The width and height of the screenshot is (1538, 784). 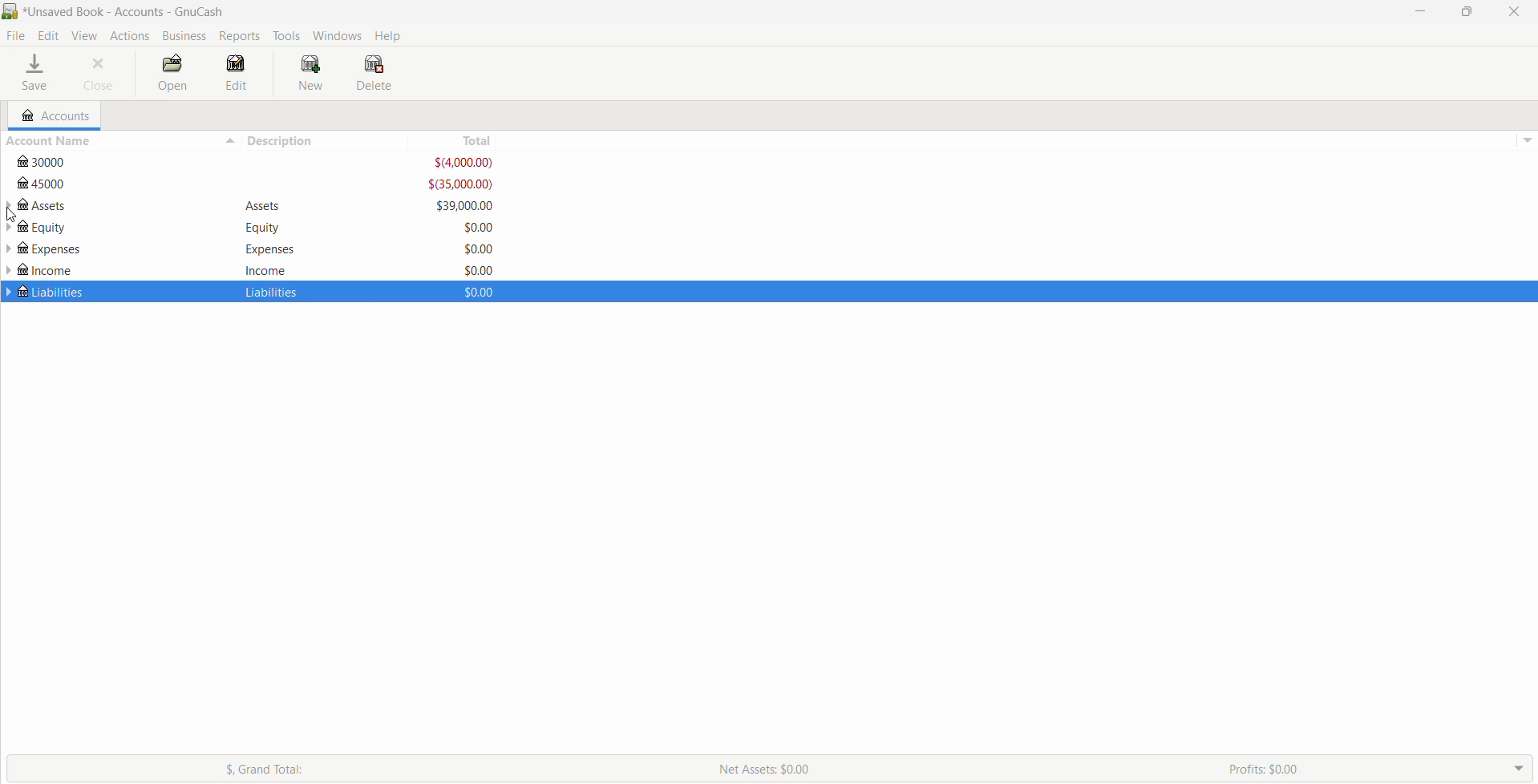 I want to click on Liabilties, so click(x=278, y=293).